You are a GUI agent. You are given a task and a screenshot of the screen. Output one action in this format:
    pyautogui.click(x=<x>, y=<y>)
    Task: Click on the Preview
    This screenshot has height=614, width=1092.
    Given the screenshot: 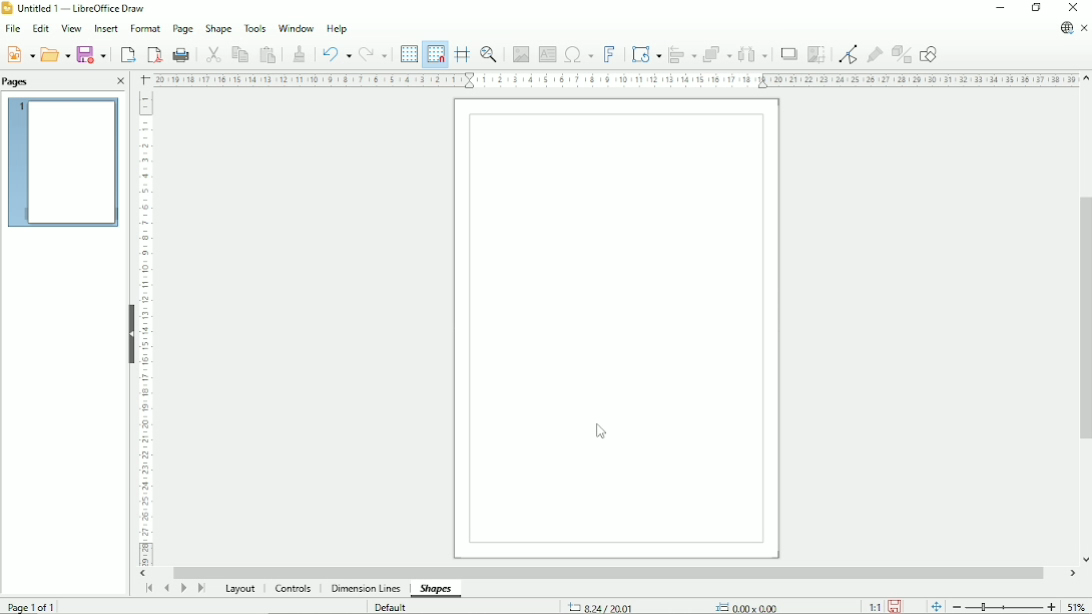 What is the action you would take?
    pyautogui.click(x=62, y=164)
    